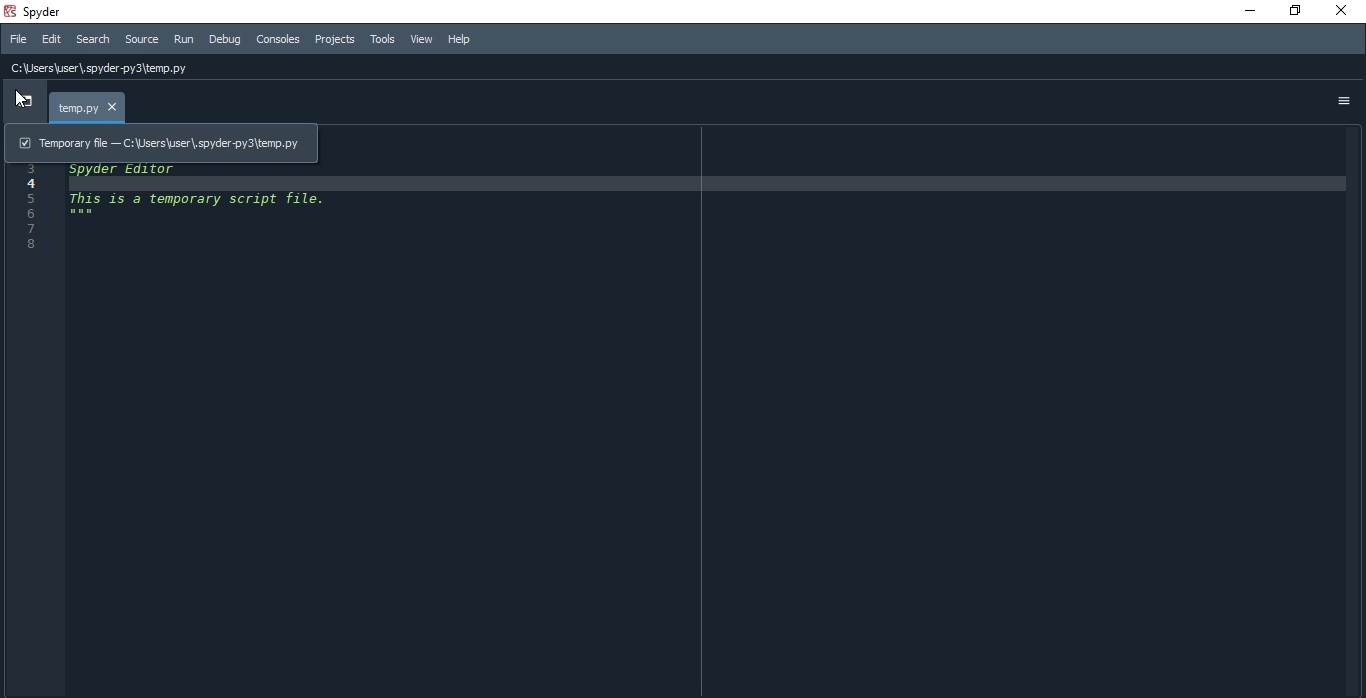 The height and width of the screenshot is (698, 1366). Describe the element at coordinates (93, 40) in the screenshot. I see `Search` at that location.